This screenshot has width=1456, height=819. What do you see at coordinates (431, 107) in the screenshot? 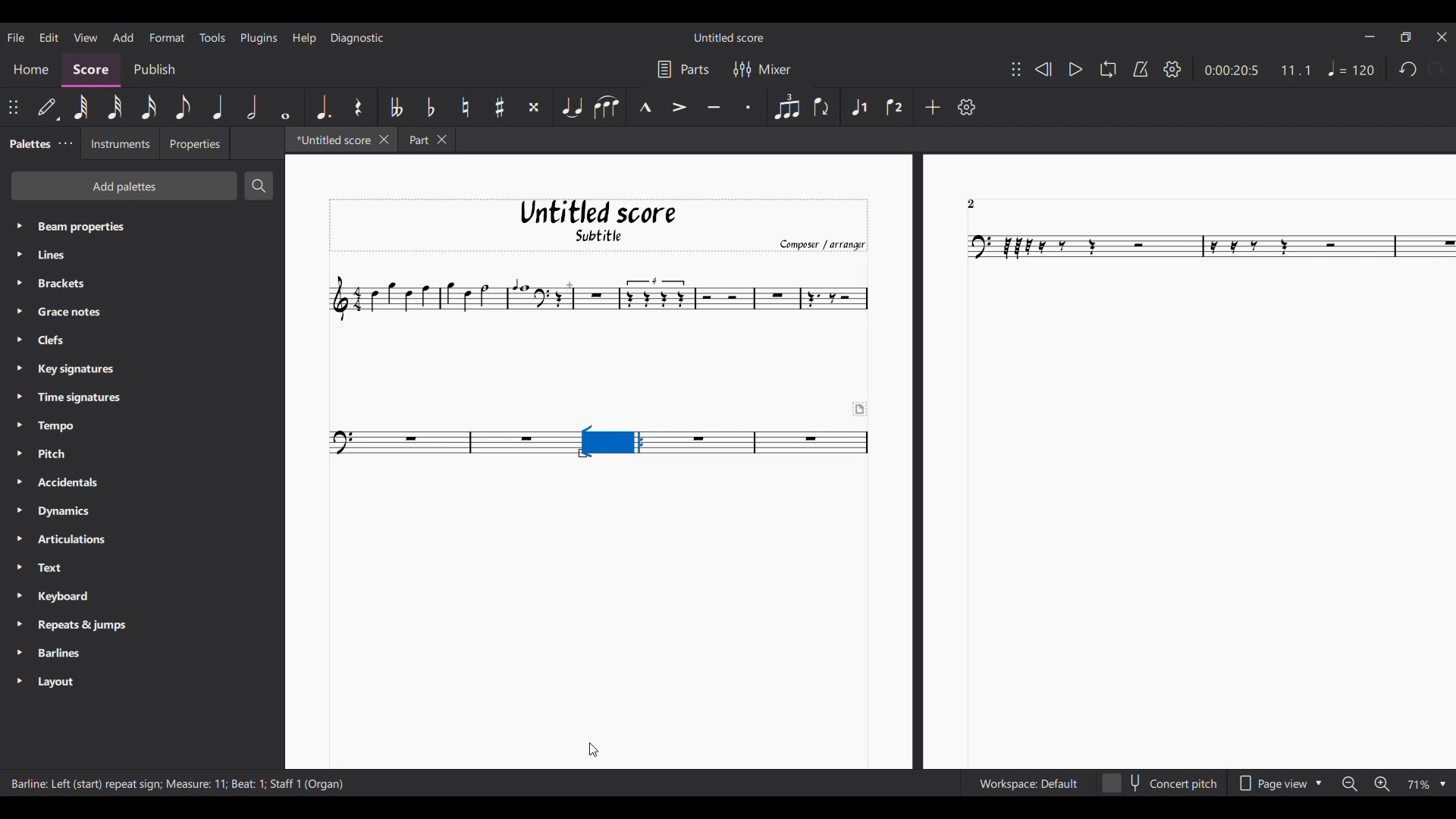
I see `Toggle flat` at bounding box center [431, 107].